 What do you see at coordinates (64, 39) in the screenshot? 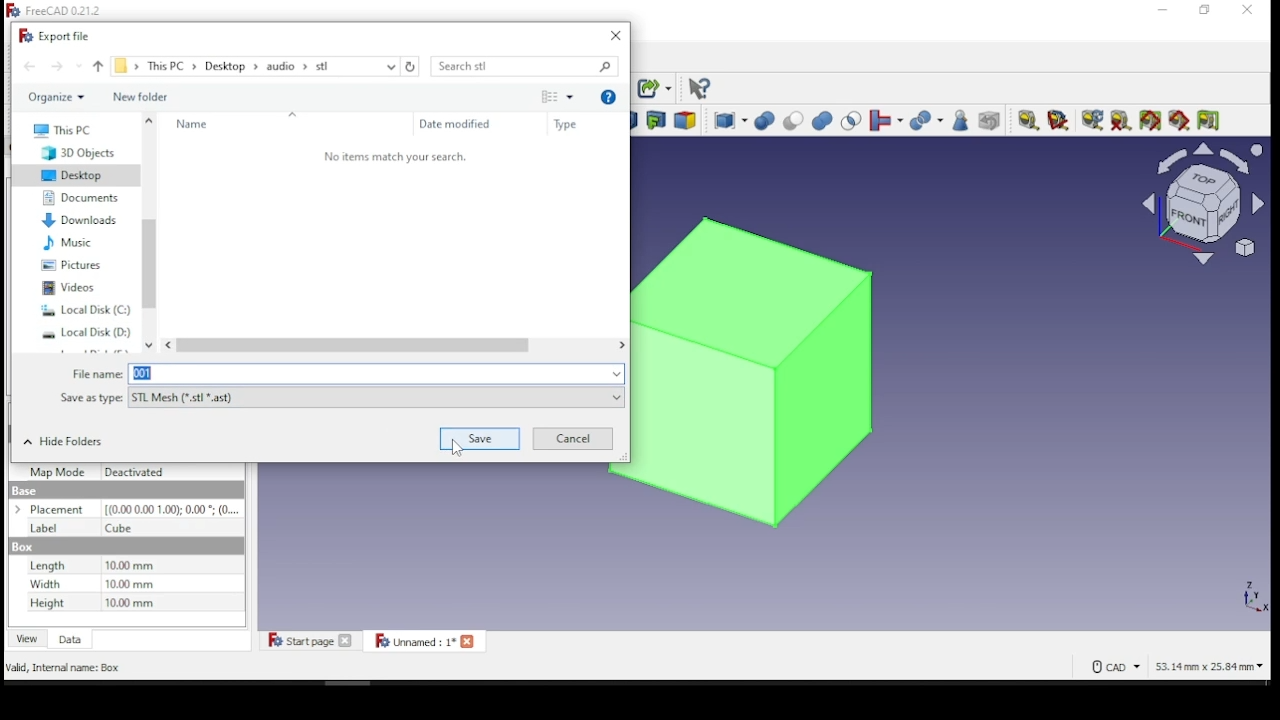
I see `export file window` at bounding box center [64, 39].